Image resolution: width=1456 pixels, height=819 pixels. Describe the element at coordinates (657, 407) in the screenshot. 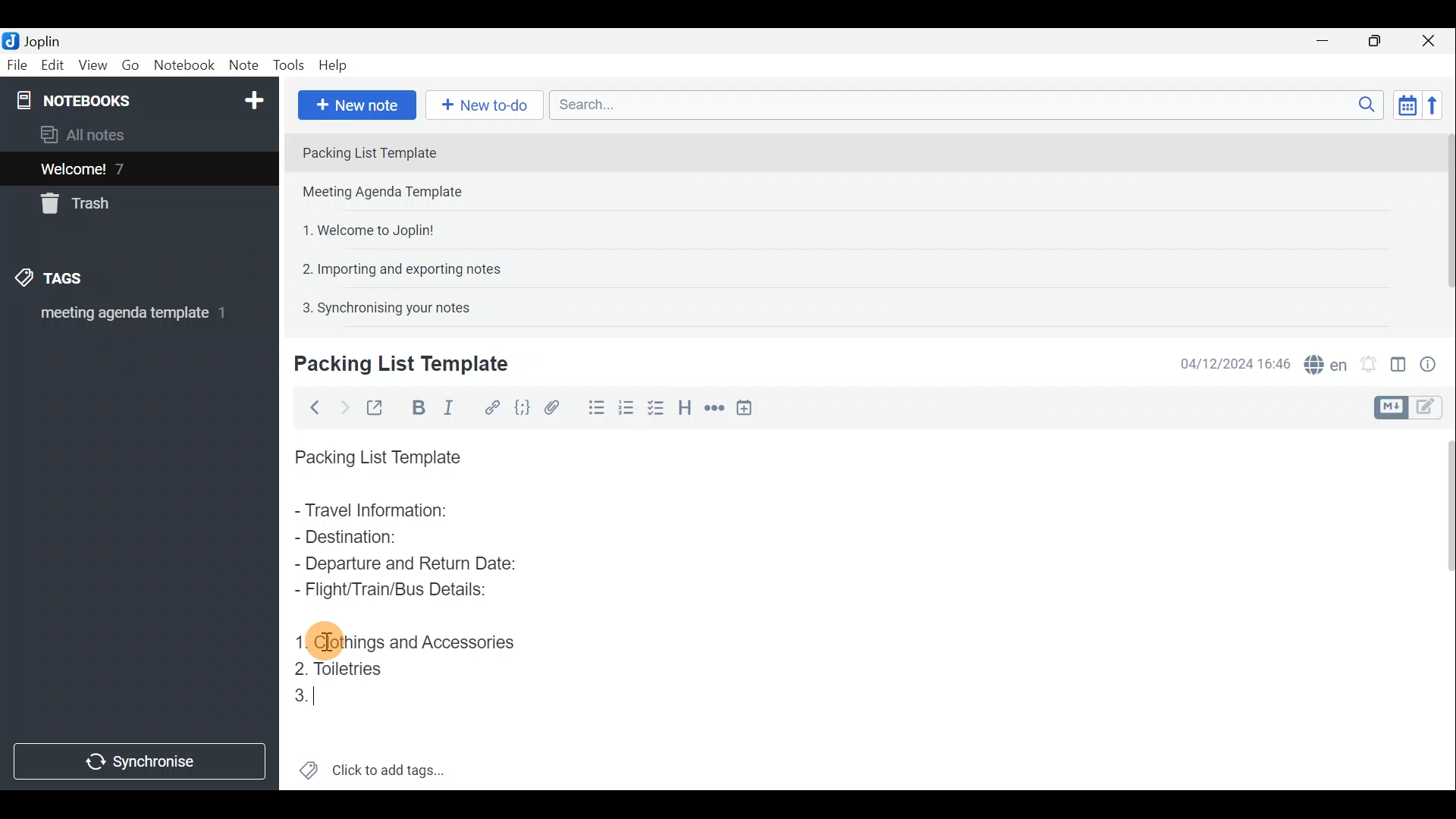

I see `Numbered list` at that location.